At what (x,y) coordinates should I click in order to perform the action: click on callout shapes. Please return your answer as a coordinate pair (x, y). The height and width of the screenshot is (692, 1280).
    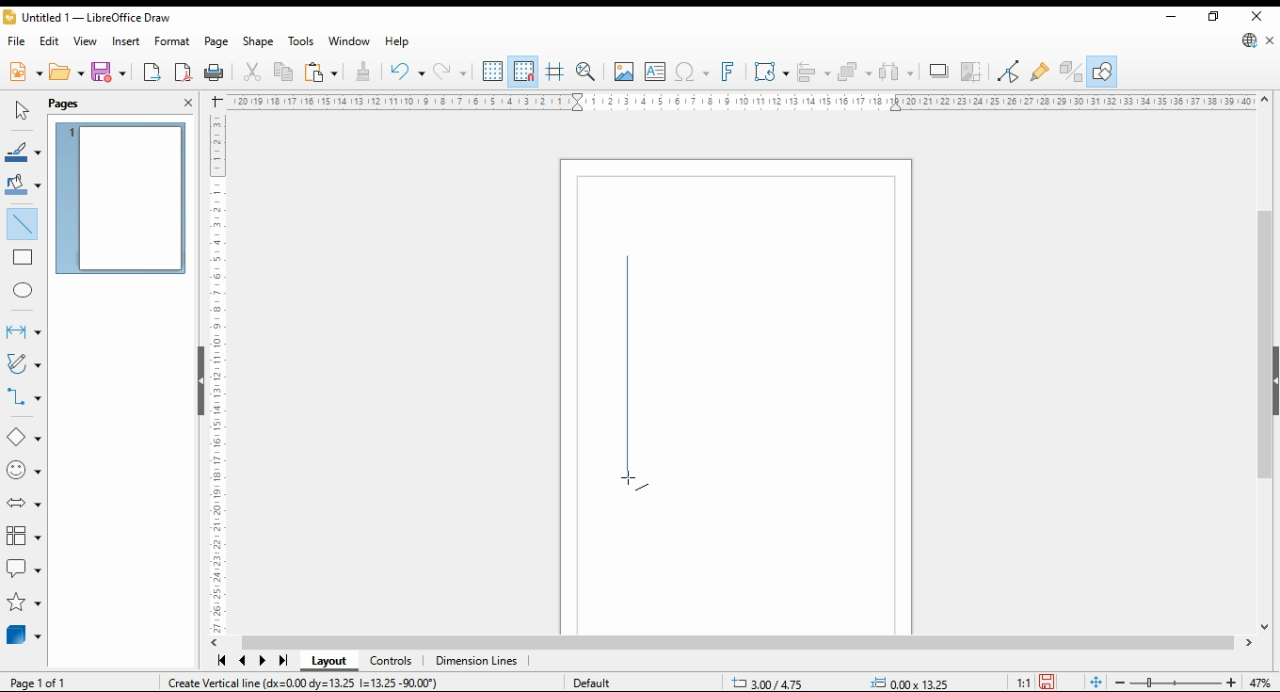
    Looking at the image, I should click on (24, 569).